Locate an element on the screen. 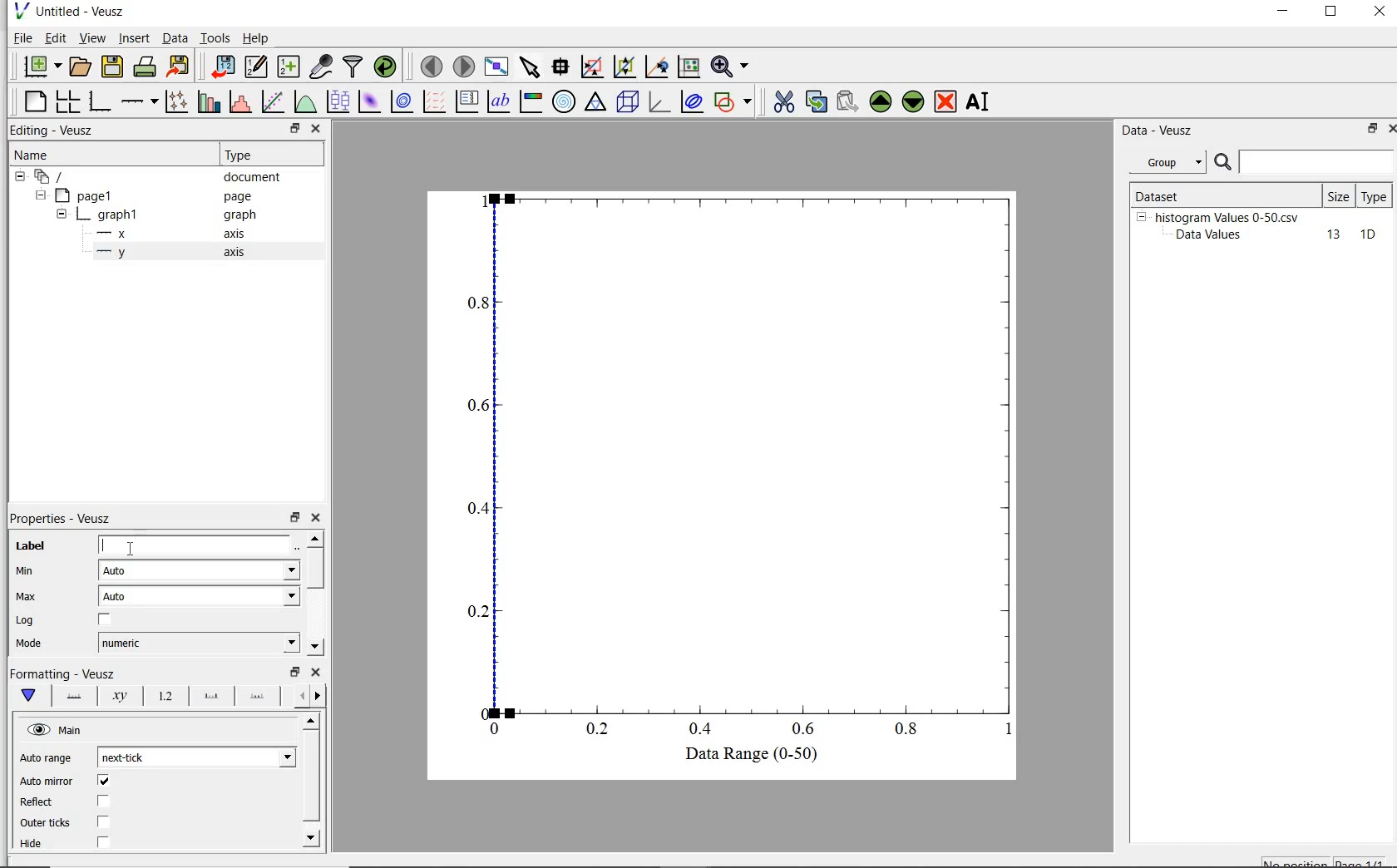 The width and height of the screenshot is (1397, 868). auto is located at coordinates (201, 596).